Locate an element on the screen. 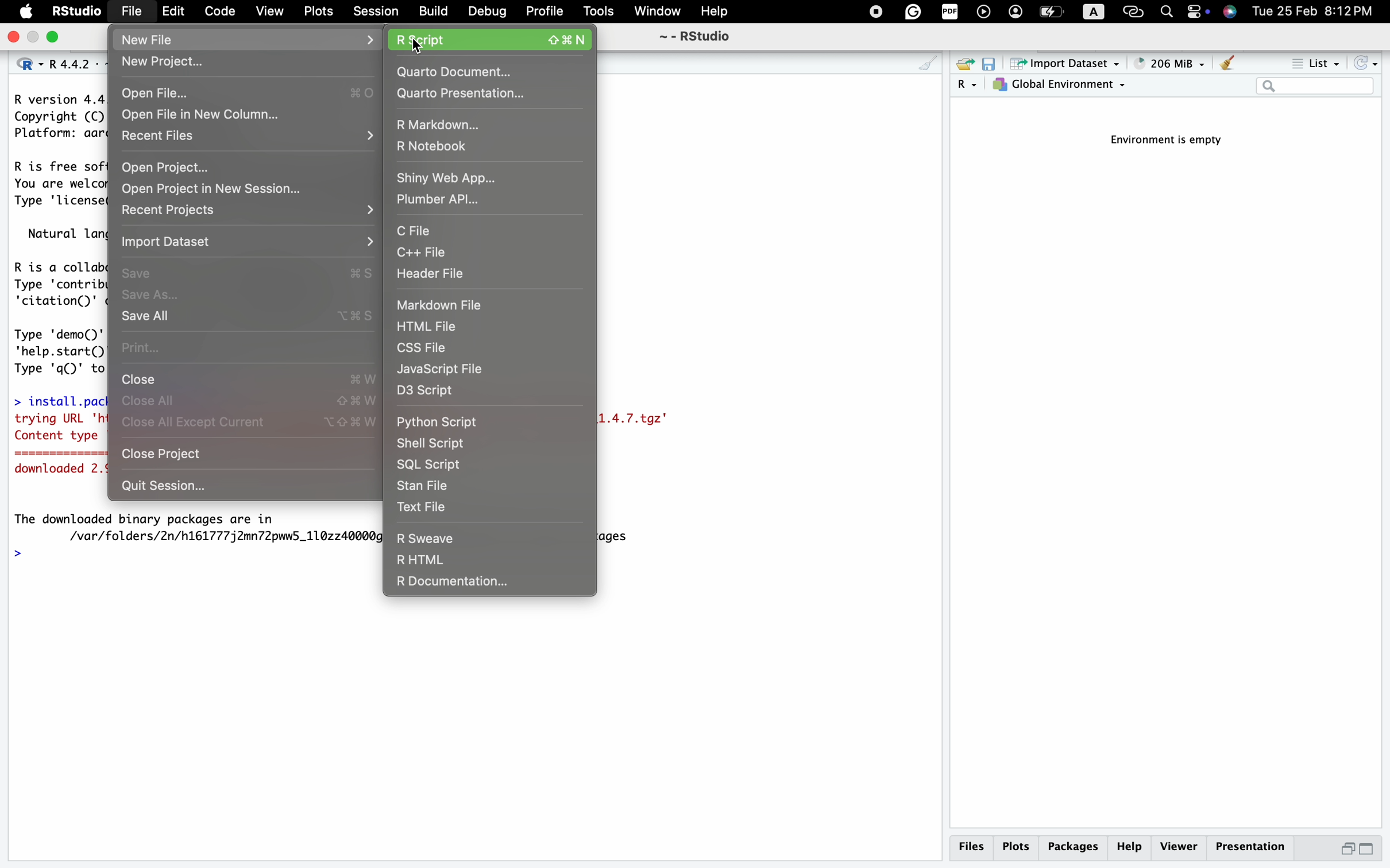  close all is located at coordinates (250, 401).